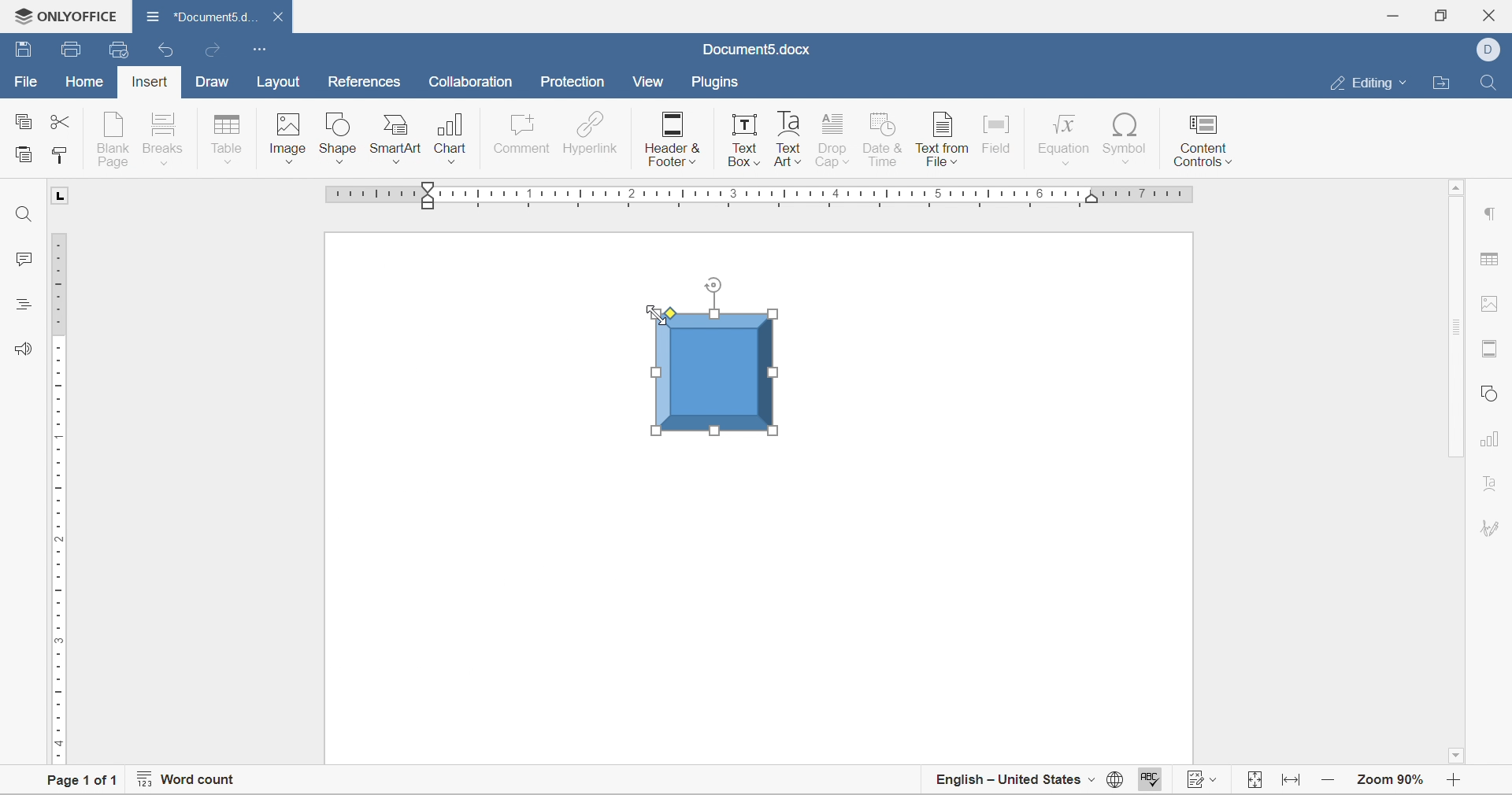 Image resolution: width=1512 pixels, height=795 pixels. What do you see at coordinates (279, 83) in the screenshot?
I see `layout` at bounding box center [279, 83].